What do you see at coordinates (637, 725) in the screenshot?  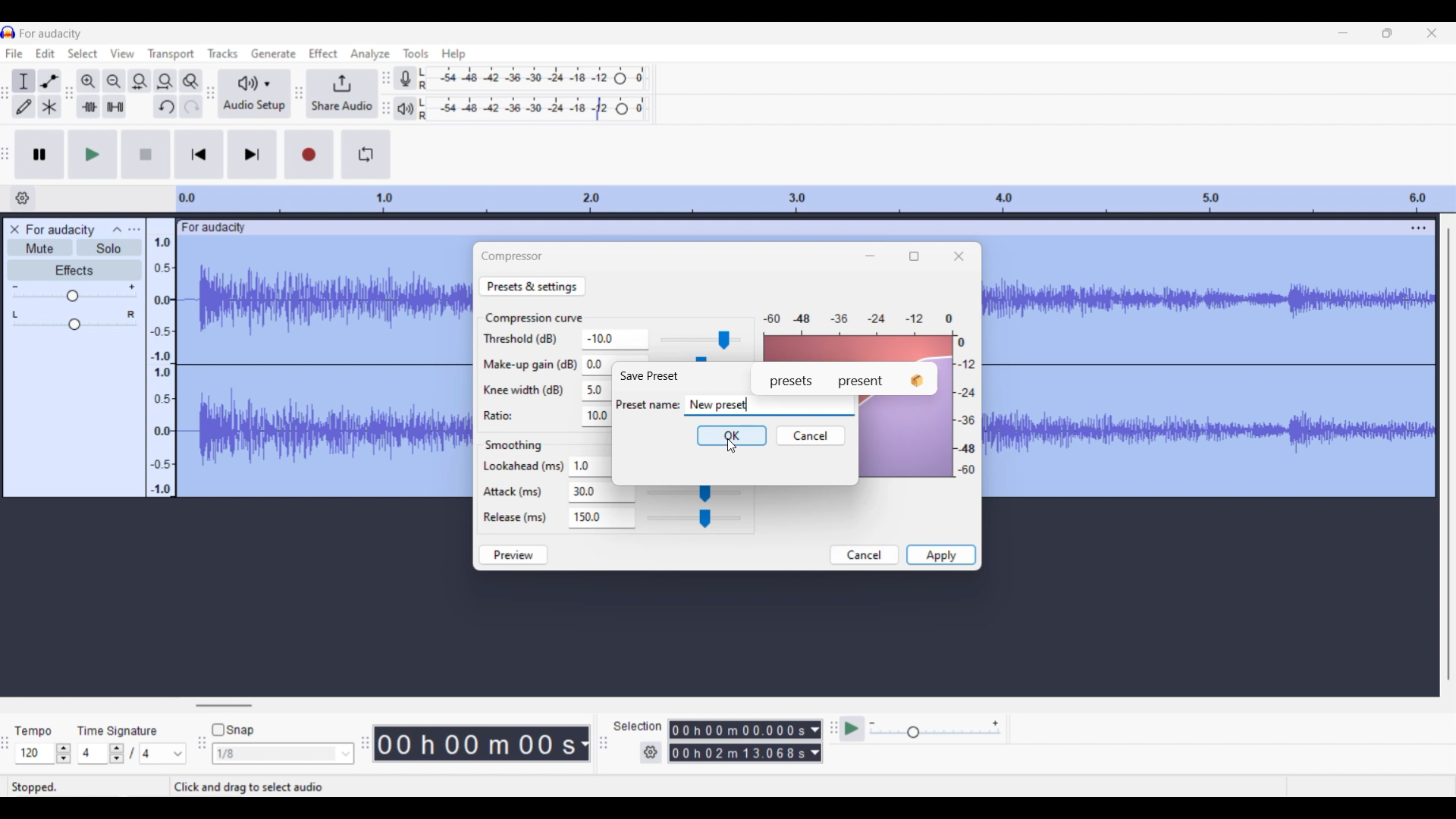 I see `selection` at bounding box center [637, 725].